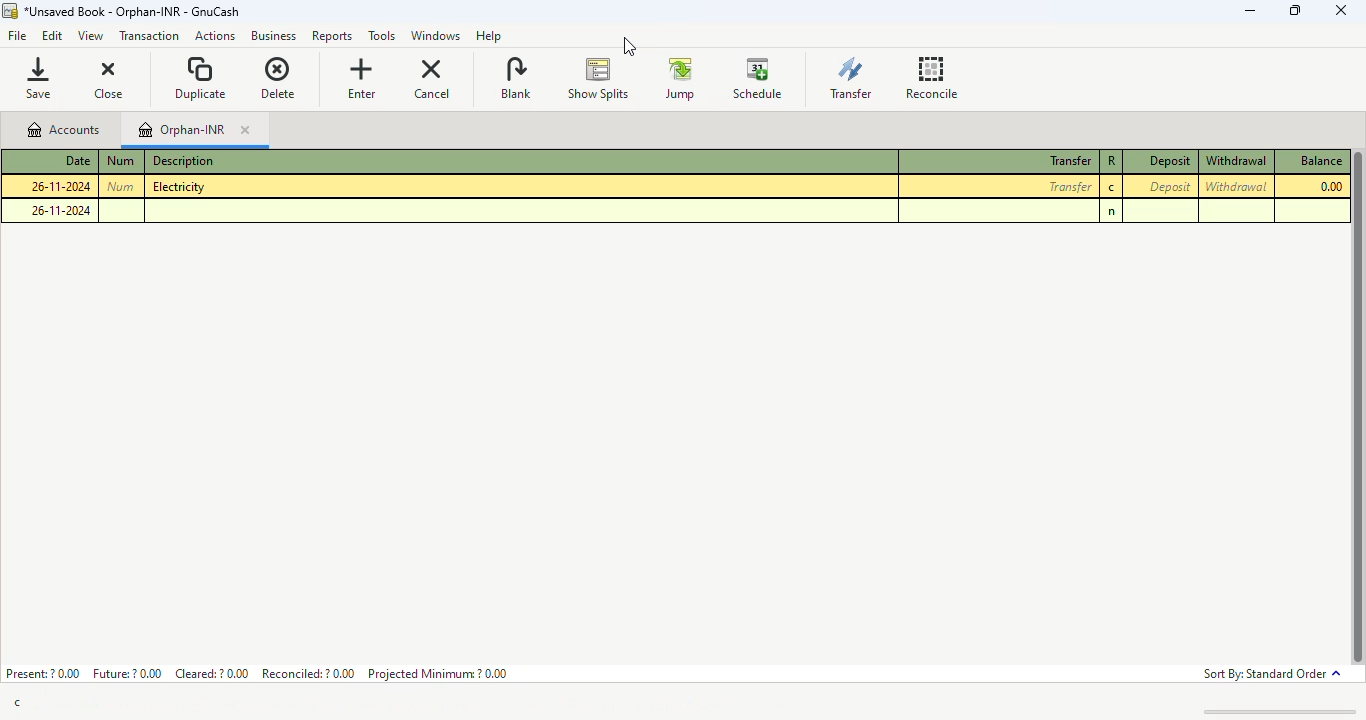 Image resolution: width=1366 pixels, height=720 pixels. What do you see at coordinates (131, 12) in the screenshot?
I see `title` at bounding box center [131, 12].